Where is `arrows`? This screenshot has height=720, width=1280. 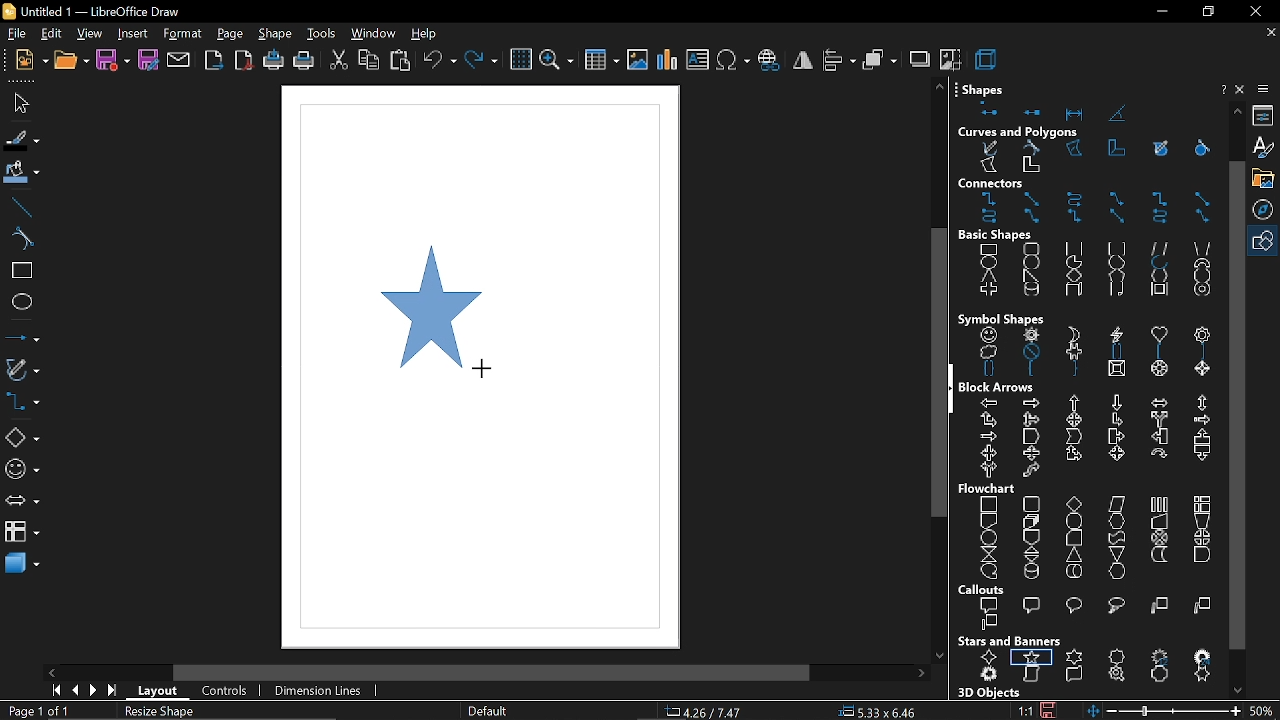
arrows is located at coordinates (22, 503).